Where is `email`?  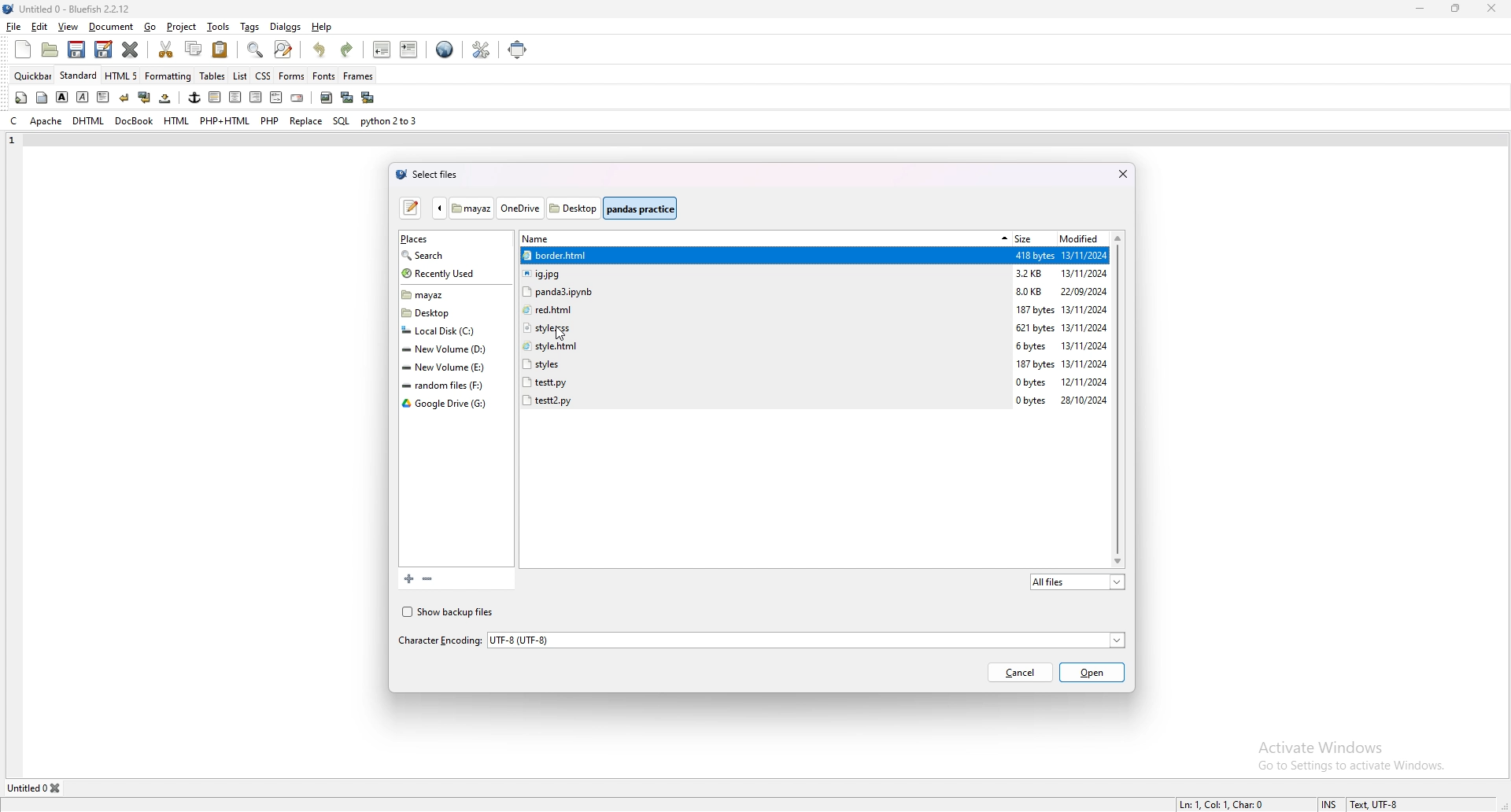
email is located at coordinates (298, 98).